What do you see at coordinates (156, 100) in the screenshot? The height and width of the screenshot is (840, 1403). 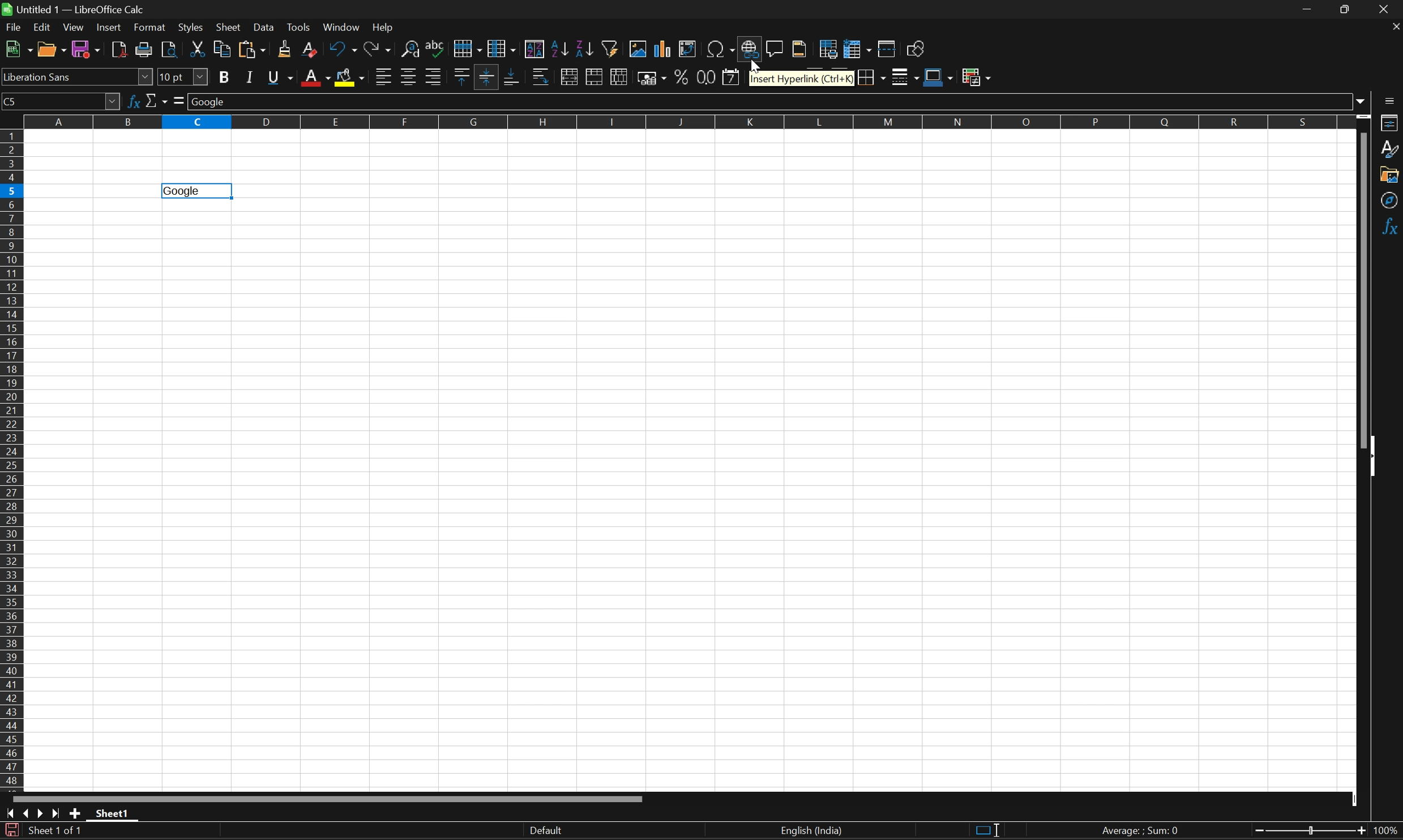 I see `Select function` at bounding box center [156, 100].